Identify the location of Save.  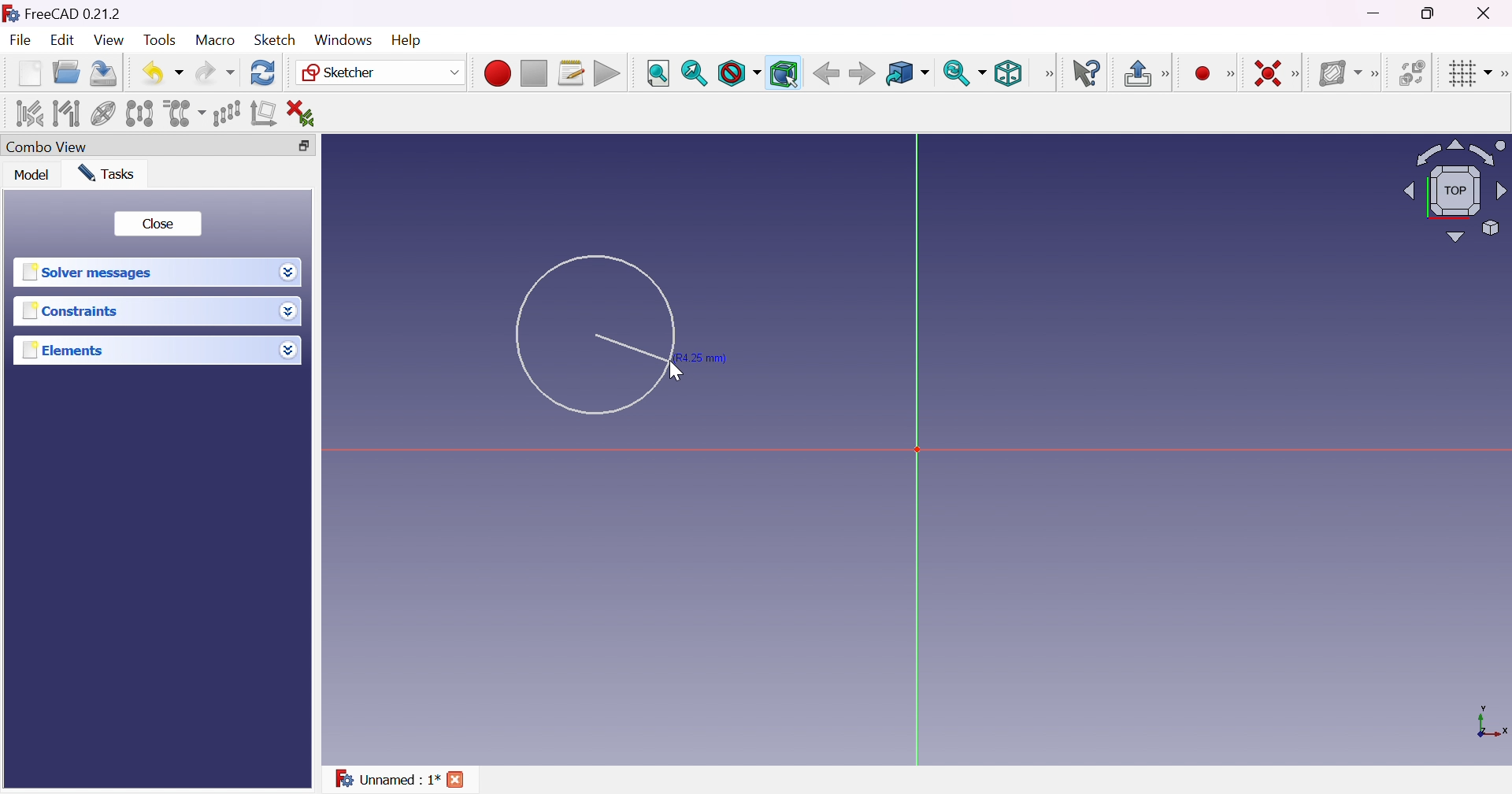
(102, 72).